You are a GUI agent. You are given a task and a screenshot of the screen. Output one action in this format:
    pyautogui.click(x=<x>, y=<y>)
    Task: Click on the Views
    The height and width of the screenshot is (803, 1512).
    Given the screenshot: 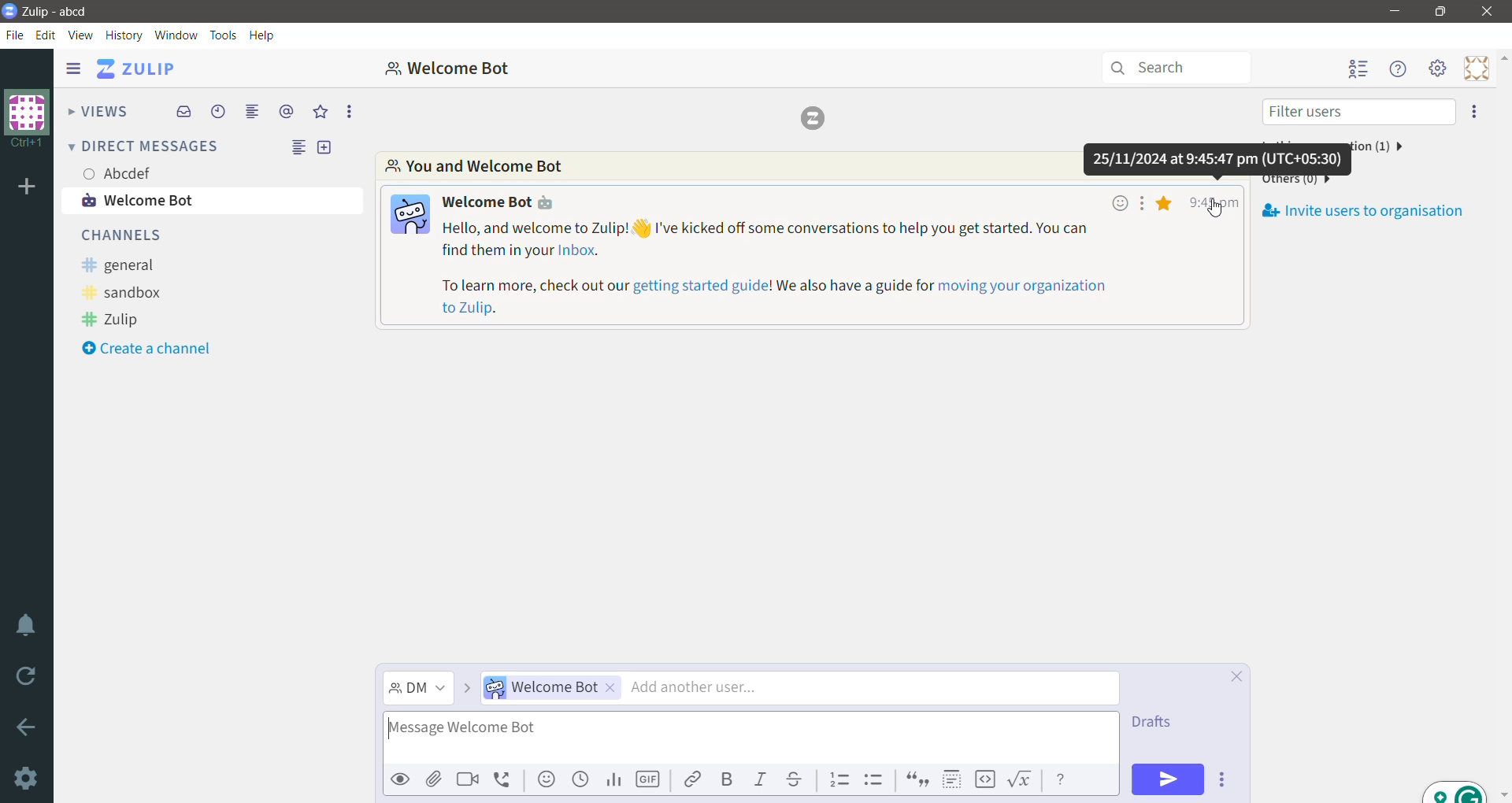 What is the action you would take?
    pyautogui.click(x=98, y=111)
    